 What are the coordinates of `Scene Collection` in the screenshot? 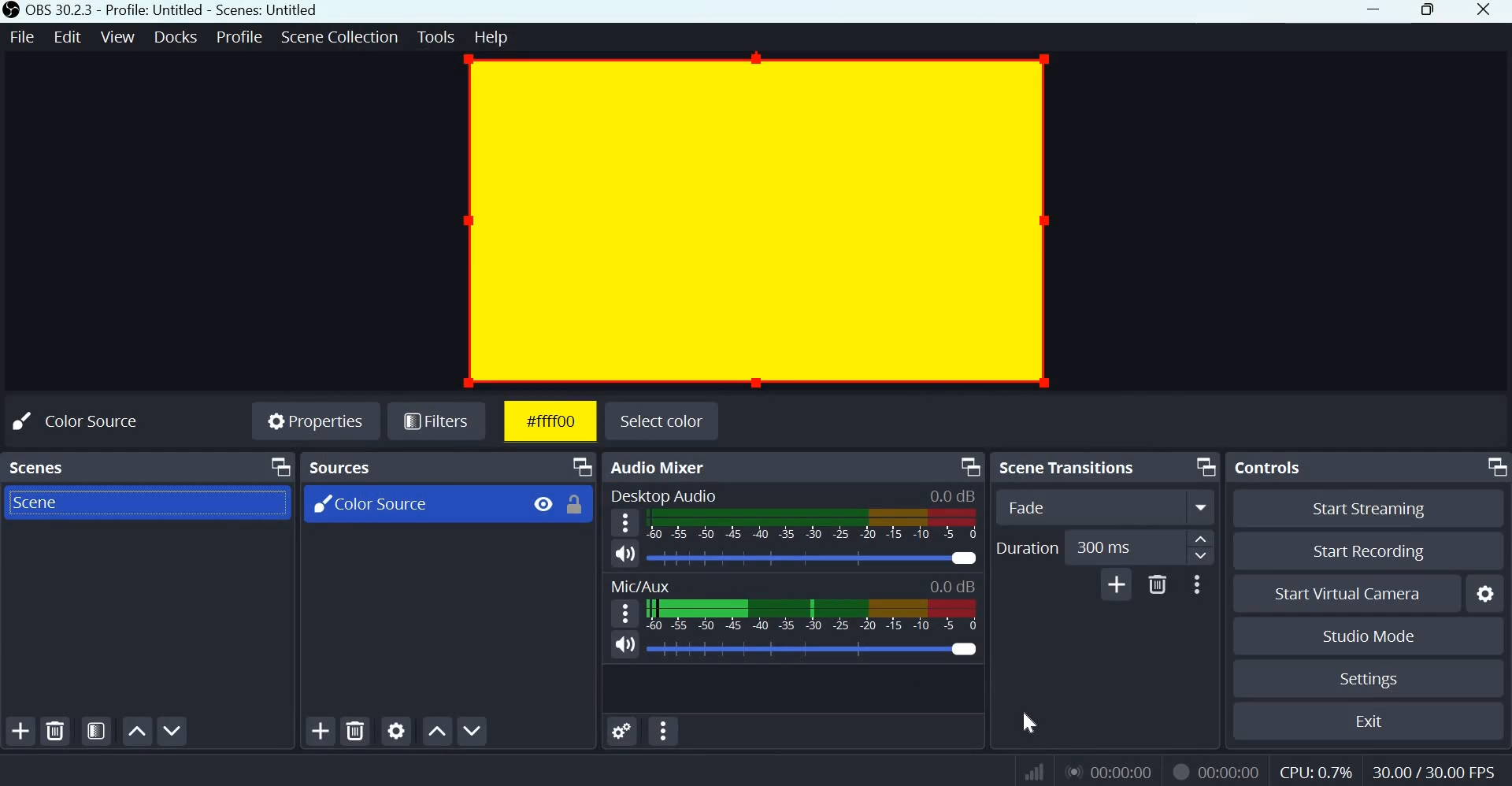 It's located at (339, 37).